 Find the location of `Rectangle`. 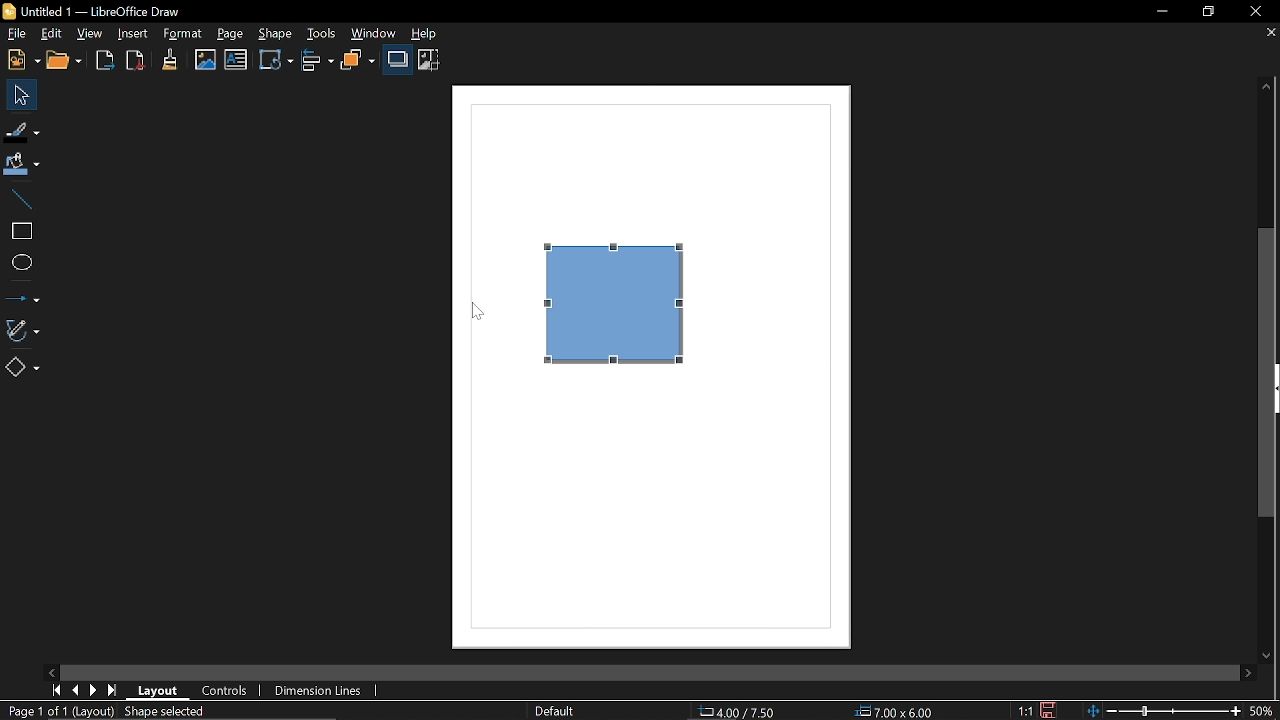

Rectangle is located at coordinates (18, 229).